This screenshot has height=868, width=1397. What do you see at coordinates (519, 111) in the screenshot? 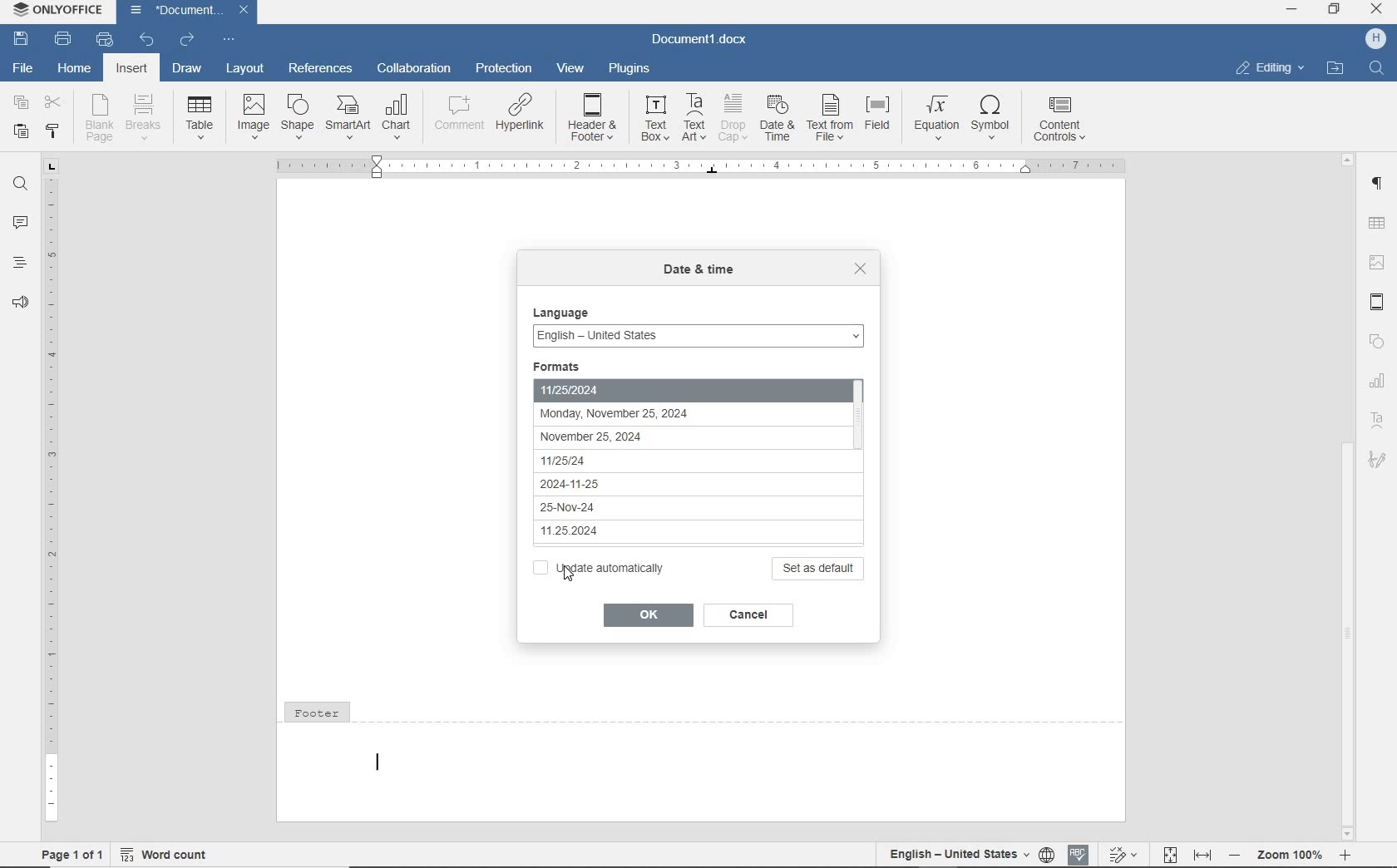
I see `hyperlink` at bounding box center [519, 111].